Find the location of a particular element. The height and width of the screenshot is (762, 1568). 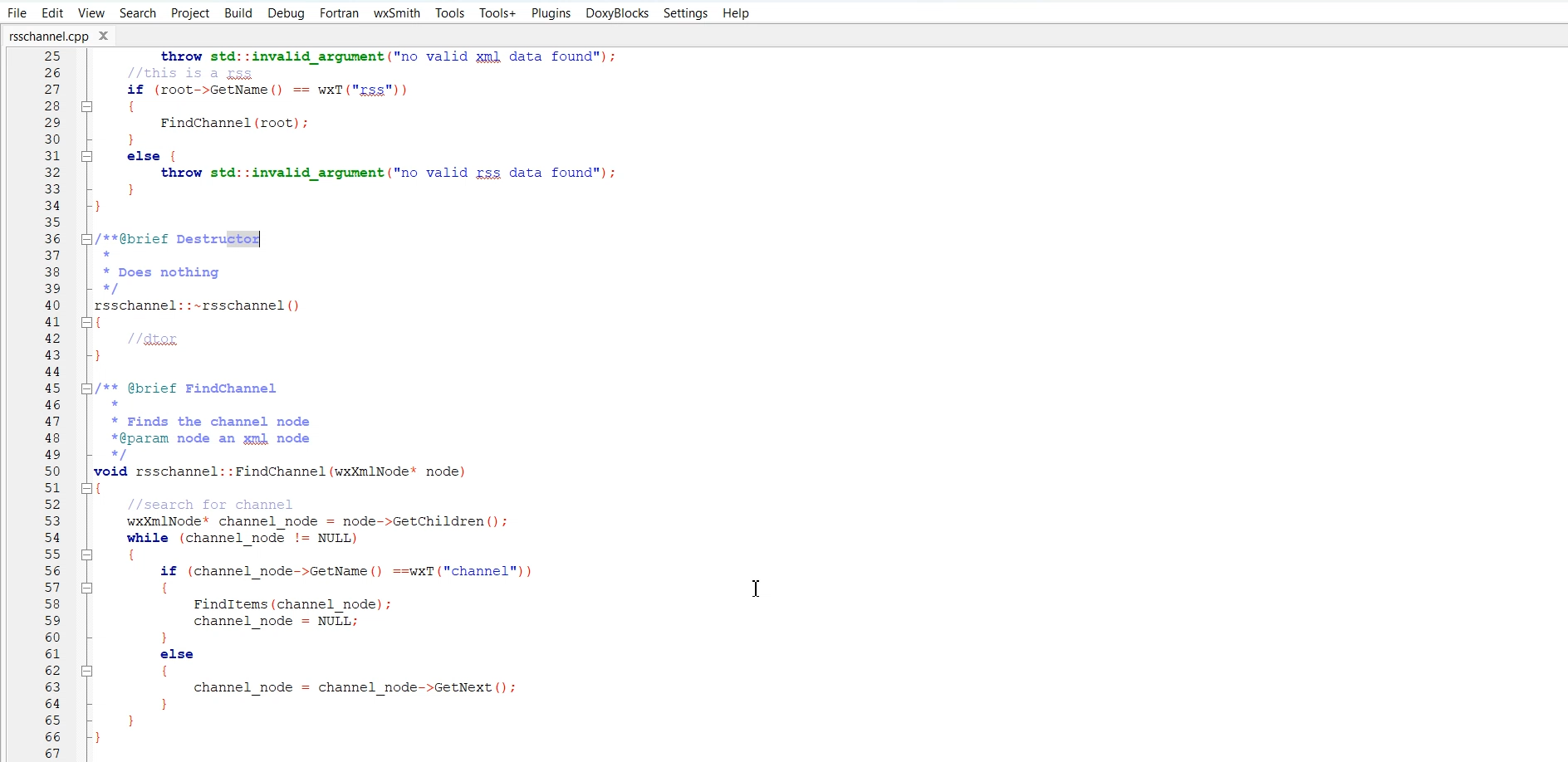

Fortran is located at coordinates (338, 13).